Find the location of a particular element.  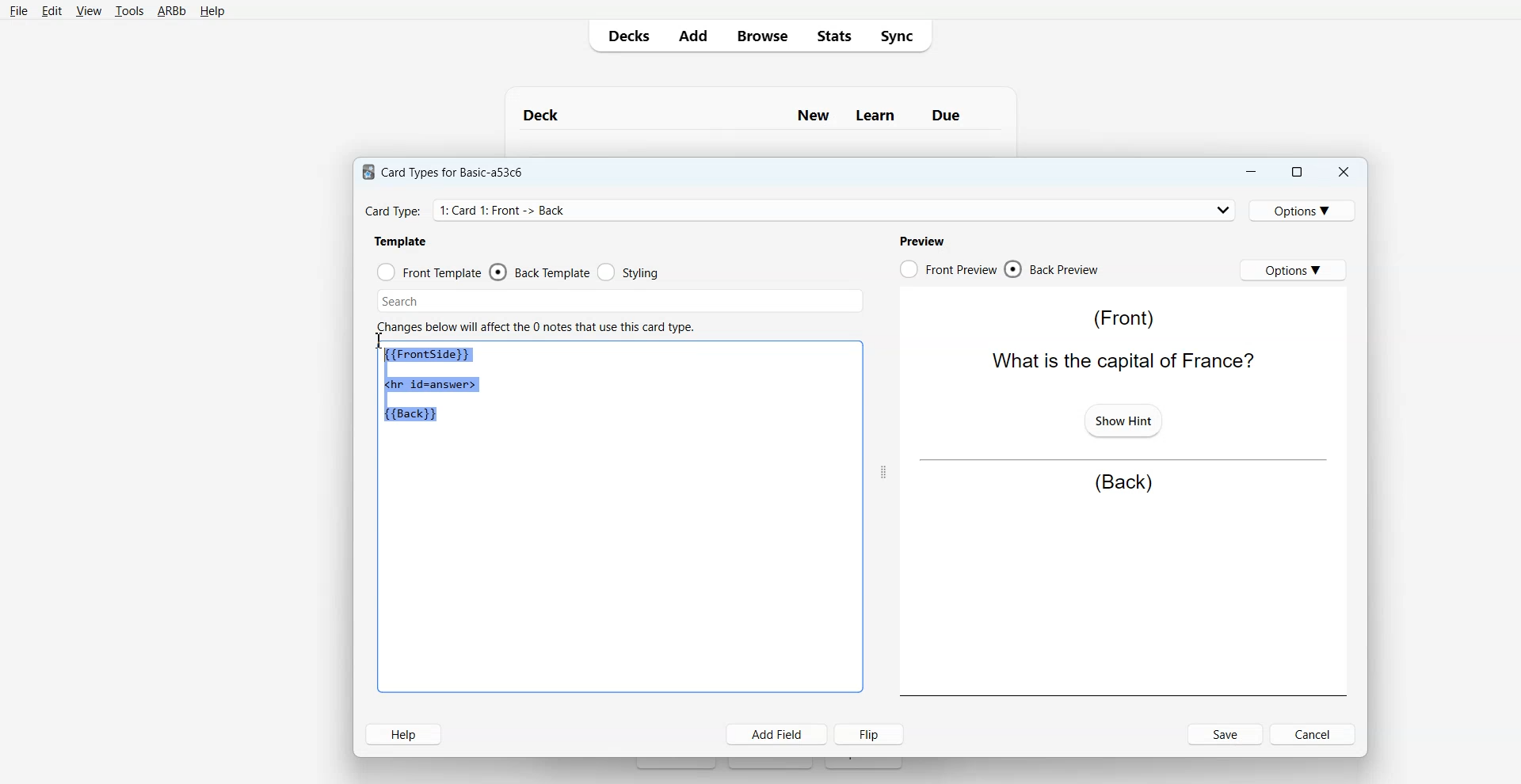

Decks is located at coordinates (625, 36).